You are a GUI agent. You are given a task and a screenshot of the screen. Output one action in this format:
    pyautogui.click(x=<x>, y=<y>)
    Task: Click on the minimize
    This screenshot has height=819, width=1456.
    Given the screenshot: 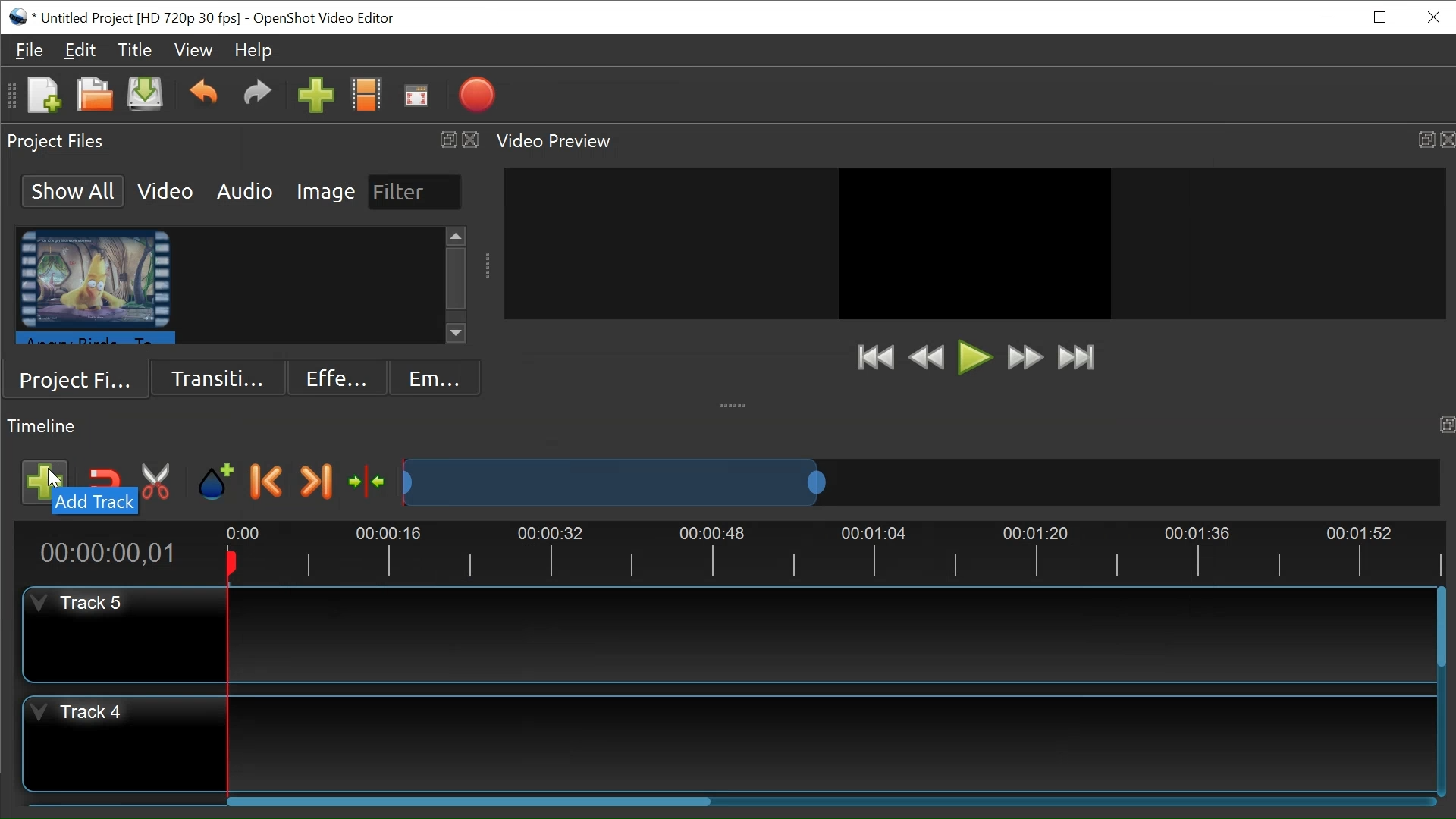 What is the action you would take?
    pyautogui.click(x=1330, y=17)
    